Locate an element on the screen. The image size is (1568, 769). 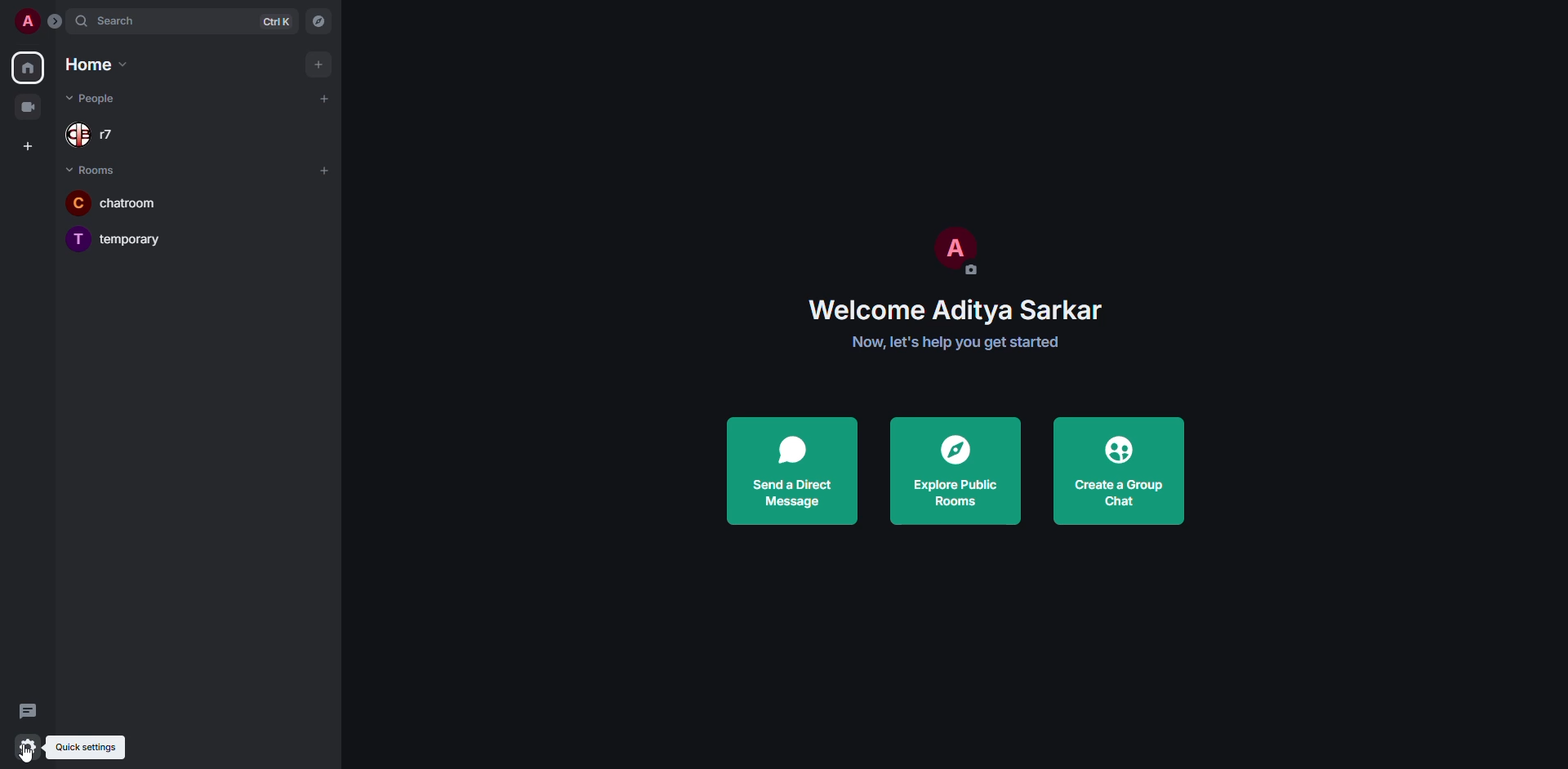
send a direct message is located at coordinates (795, 469).